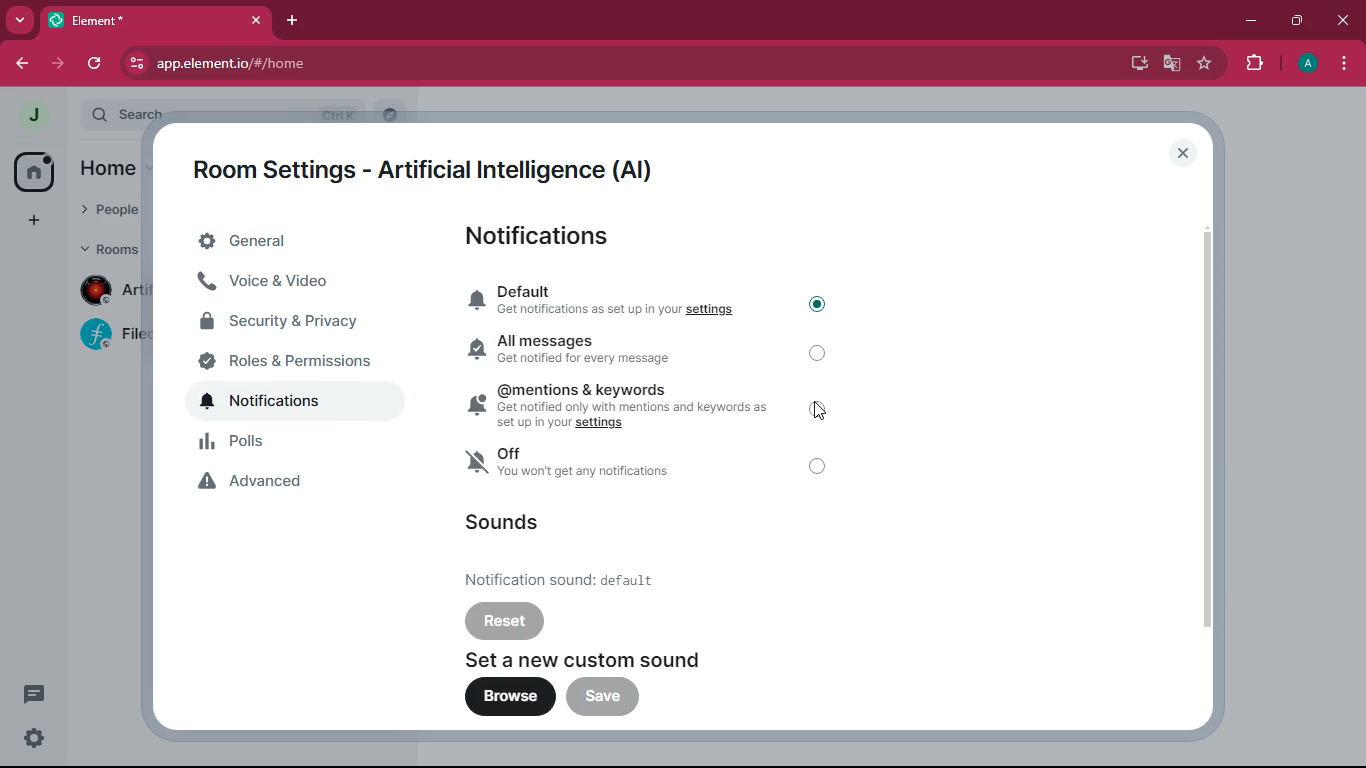 This screenshot has width=1366, height=768. Describe the element at coordinates (506, 522) in the screenshot. I see `sounds` at that location.